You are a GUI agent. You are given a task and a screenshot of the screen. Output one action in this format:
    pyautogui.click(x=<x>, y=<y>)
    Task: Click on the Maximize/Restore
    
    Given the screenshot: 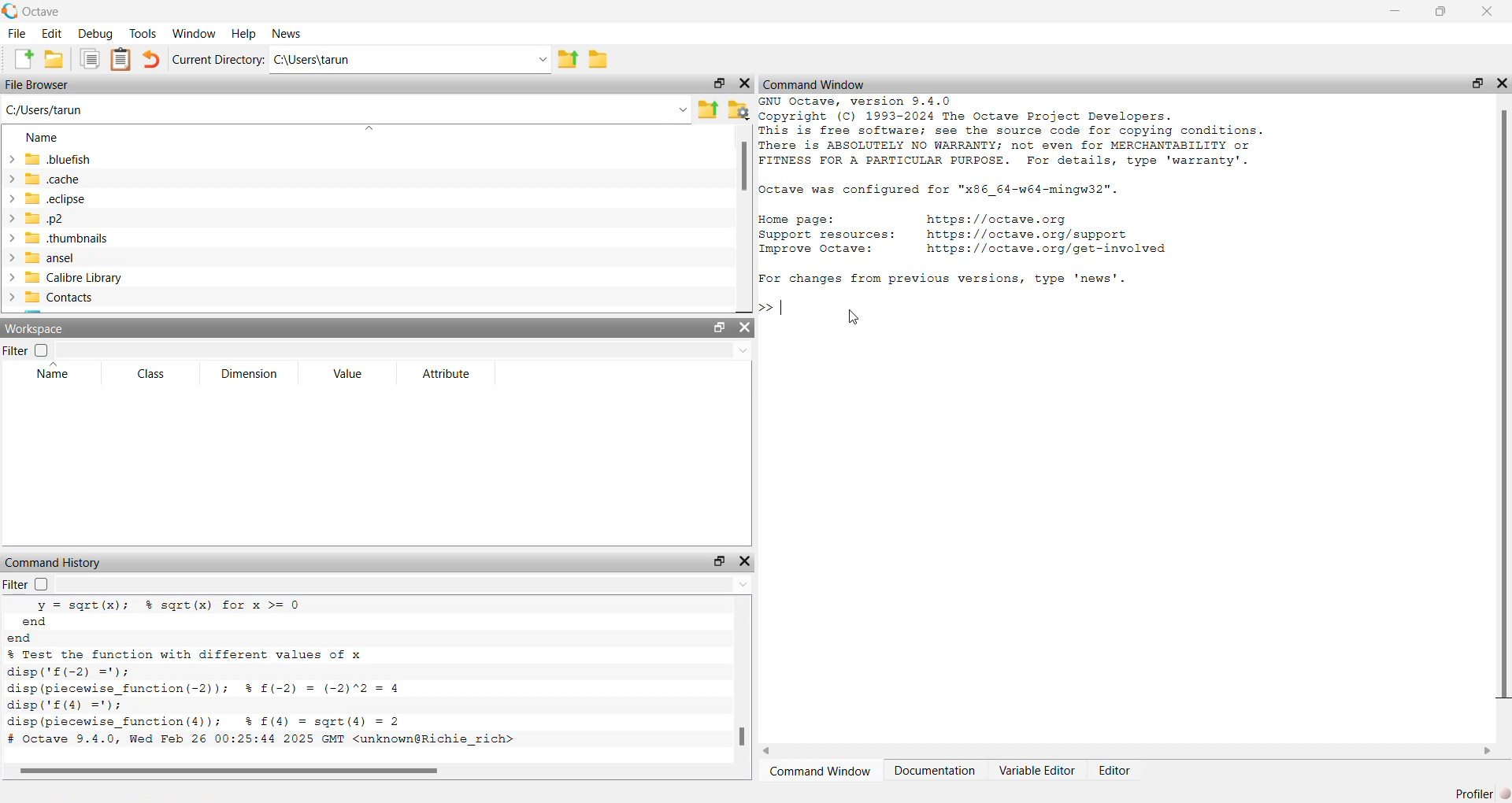 What is the action you would take?
    pyautogui.click(x=717, y=561)
    